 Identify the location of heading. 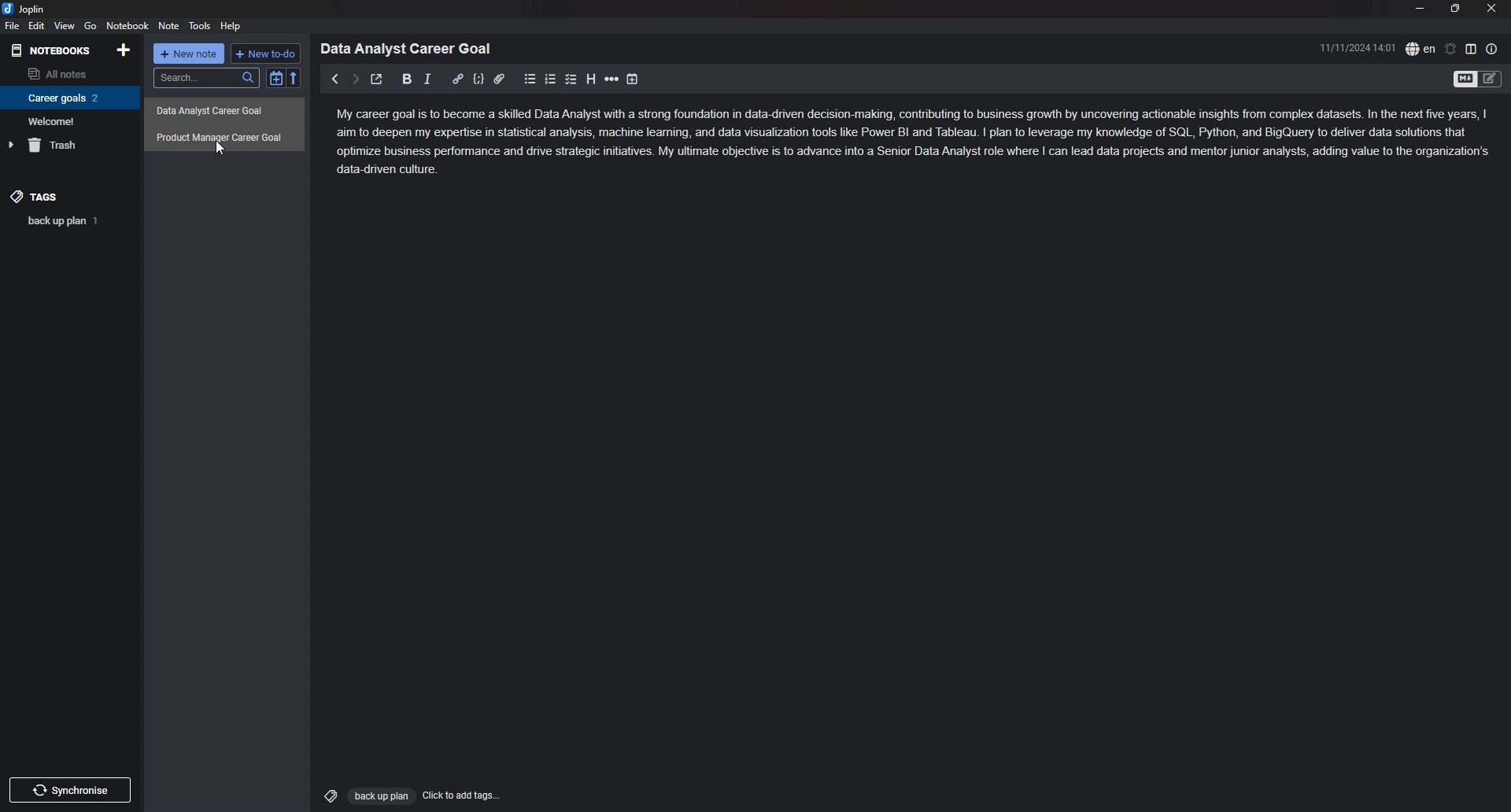
(591, 79).